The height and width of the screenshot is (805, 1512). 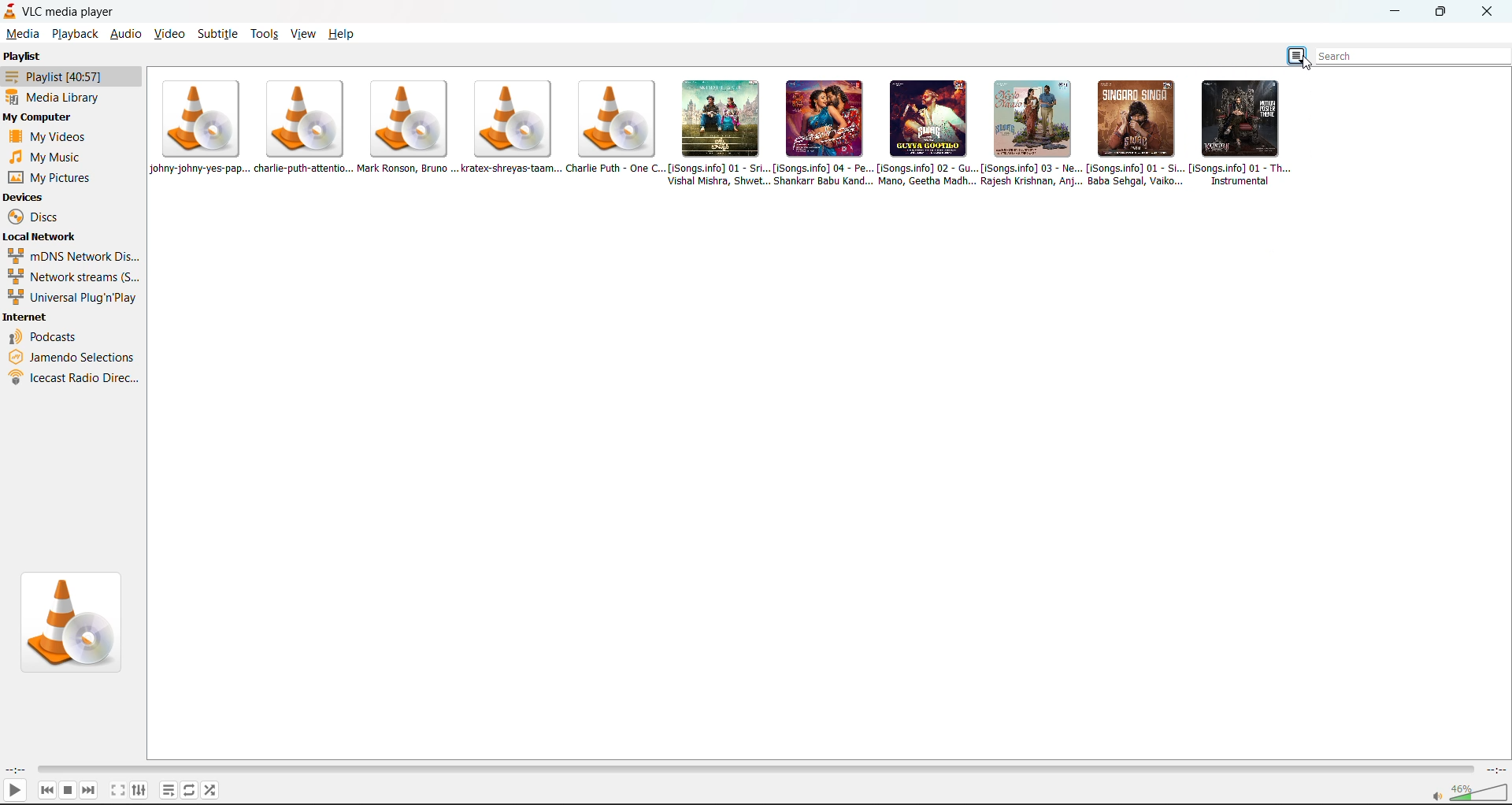 What do you see at coordinates (613, 127) in the screenshot?
I see `track title and preview` at bounding box center [613, 127].